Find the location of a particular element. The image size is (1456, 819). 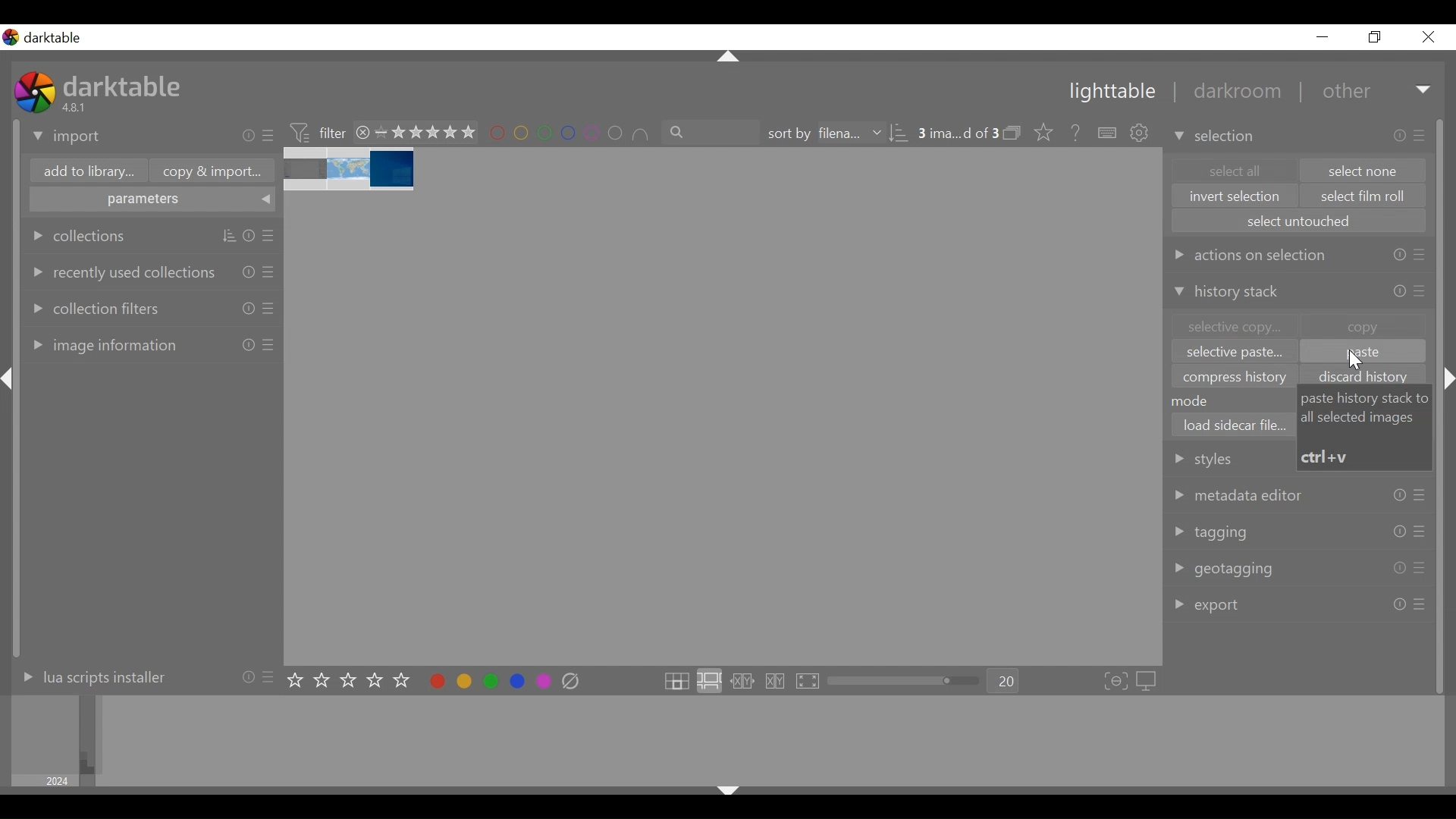

Collapse  is located at coordinates (730, 58).